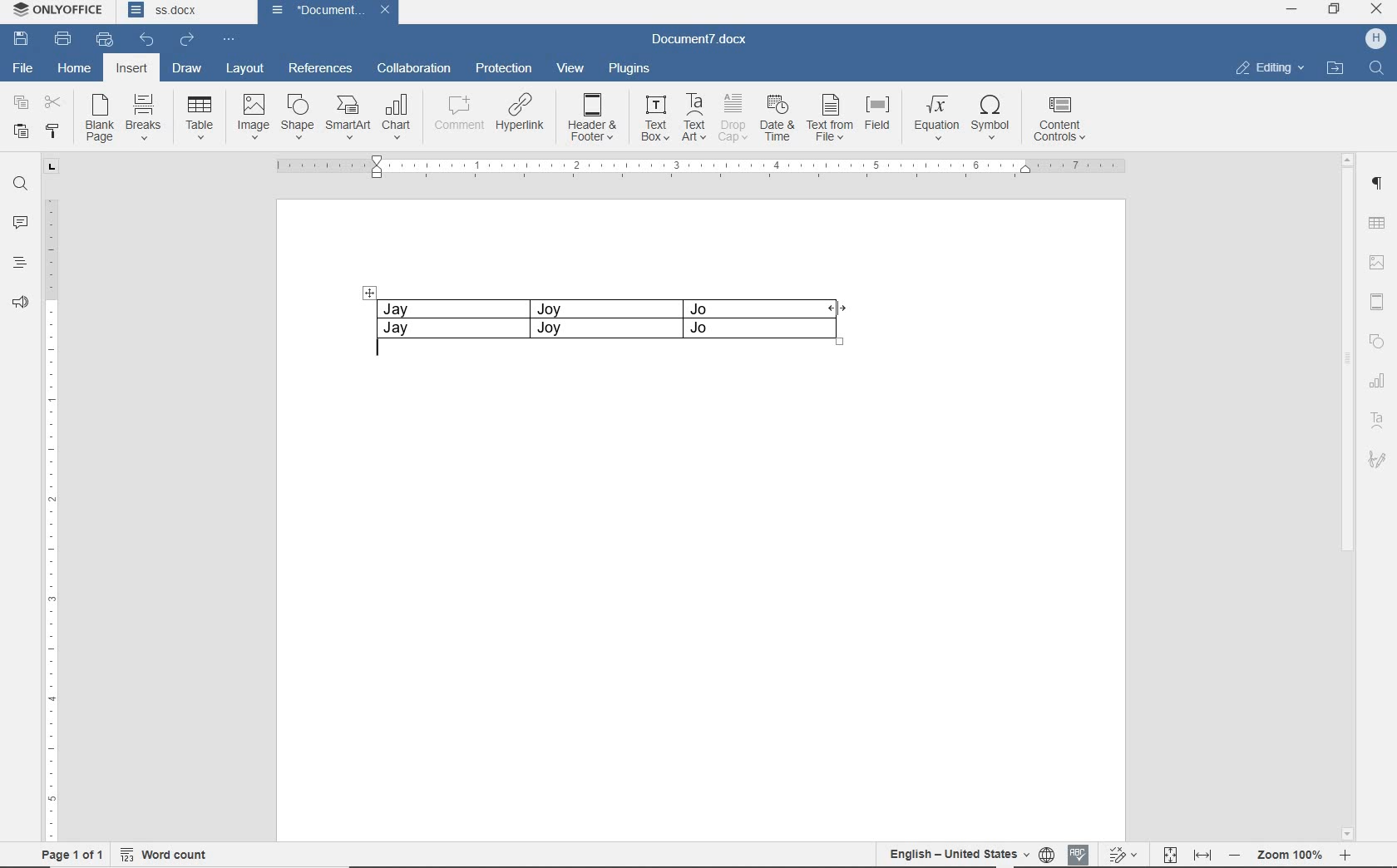 The height and width of the screenshot is (868, 1397). Describe the element at coordinates (455, 116) in the screenshot. I see `COMMENT` at that location.